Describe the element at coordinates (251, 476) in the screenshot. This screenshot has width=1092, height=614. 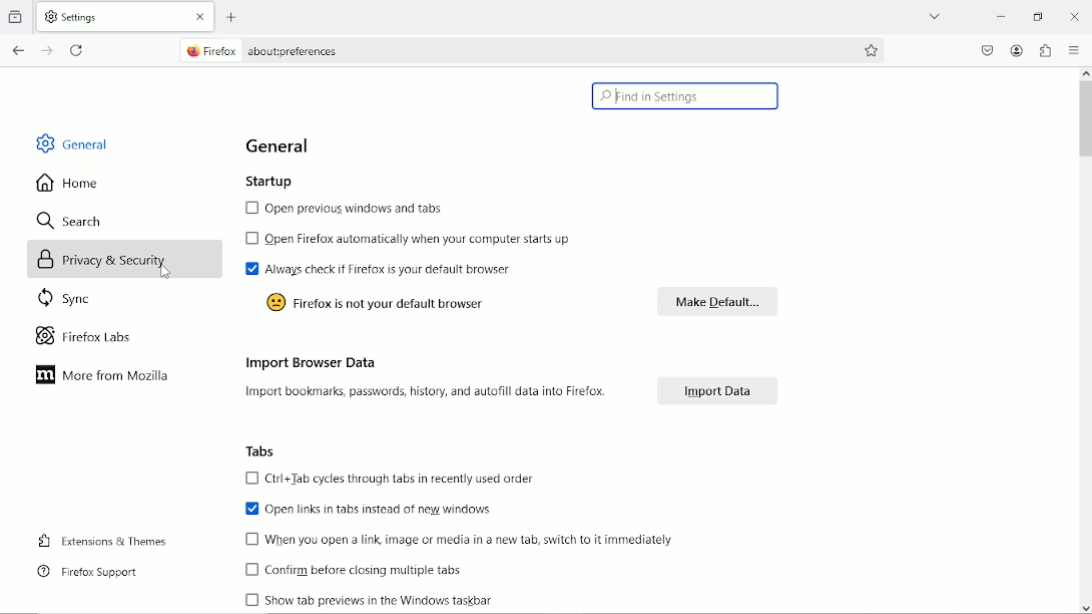
I see `check box` at that location.